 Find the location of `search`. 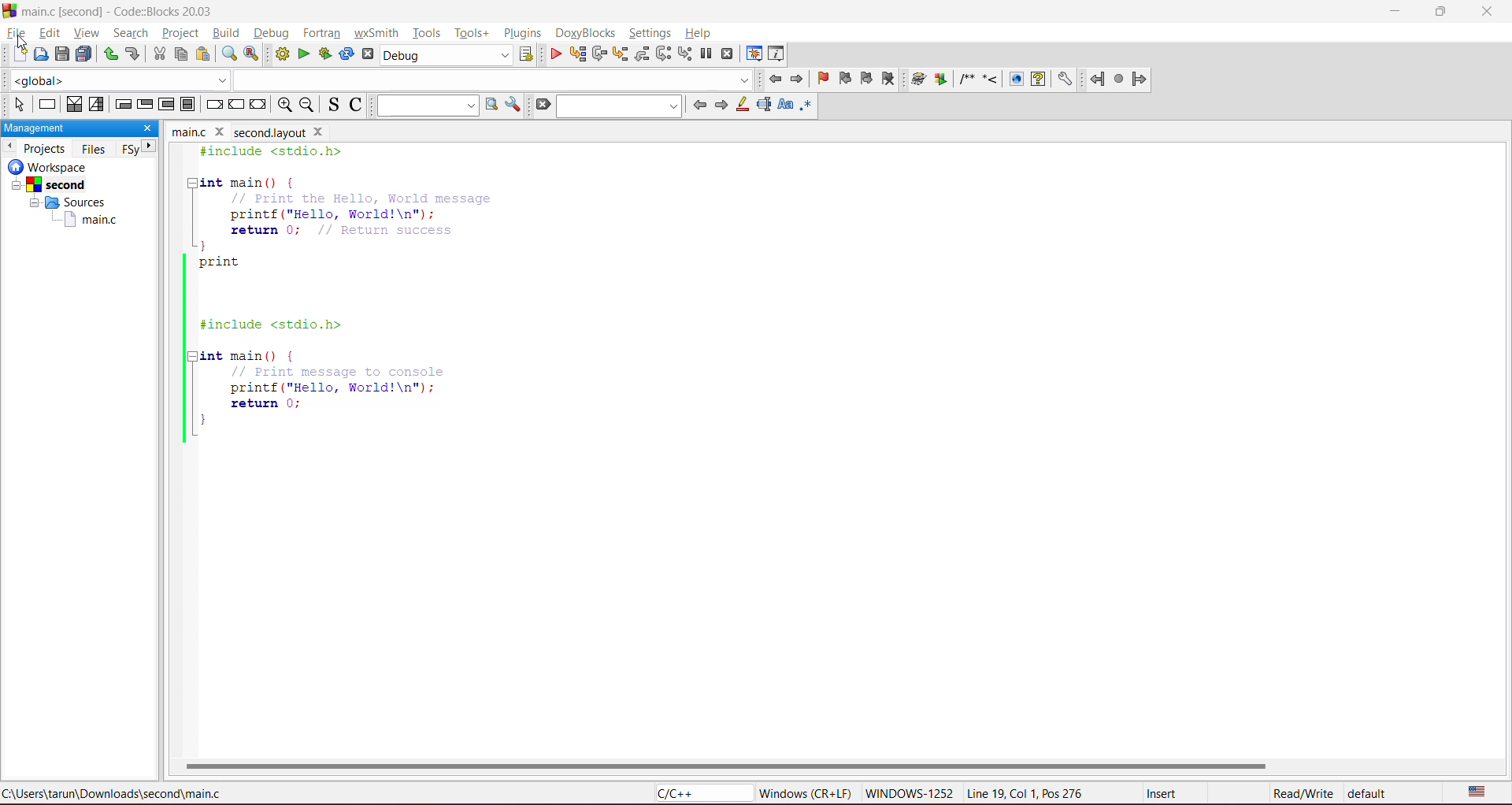

search is located at coordinates (126, 32).